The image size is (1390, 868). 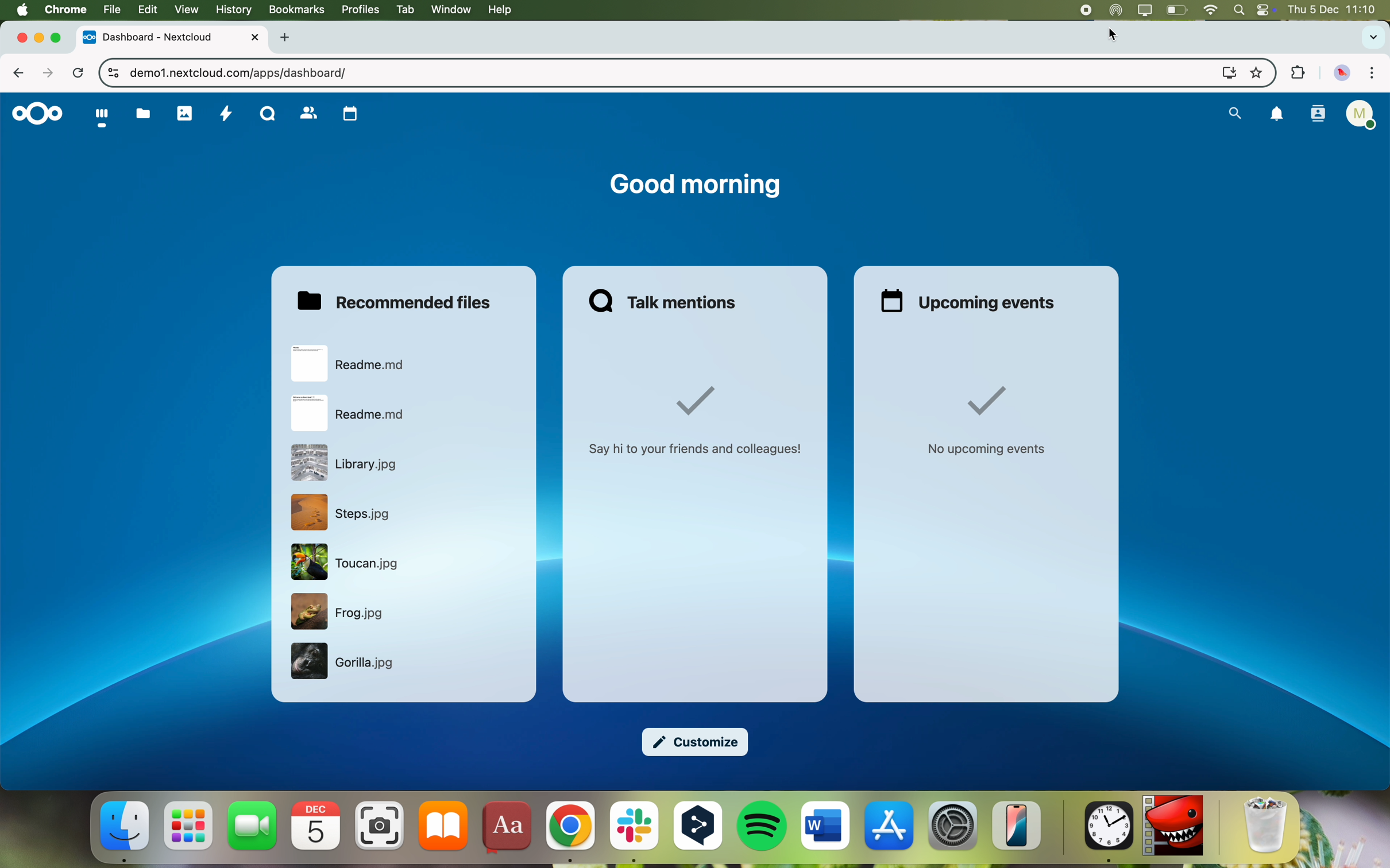 What do you see at coordinates (380, 826) in the screenshot?
I see `camera` at bounding box center [380, 826].